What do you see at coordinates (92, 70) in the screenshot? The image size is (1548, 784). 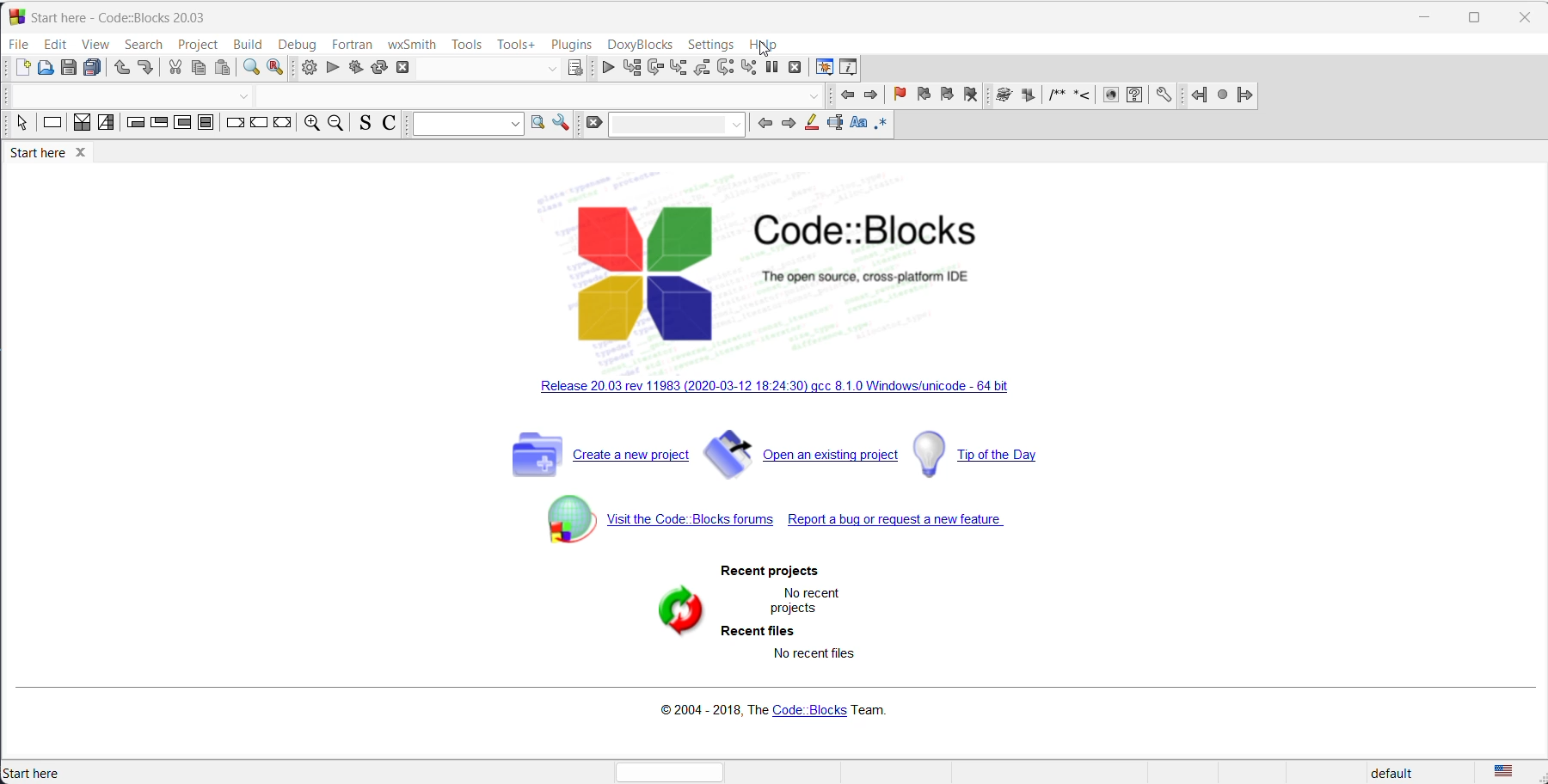 I see `save all` at bounding box center [92, 70].